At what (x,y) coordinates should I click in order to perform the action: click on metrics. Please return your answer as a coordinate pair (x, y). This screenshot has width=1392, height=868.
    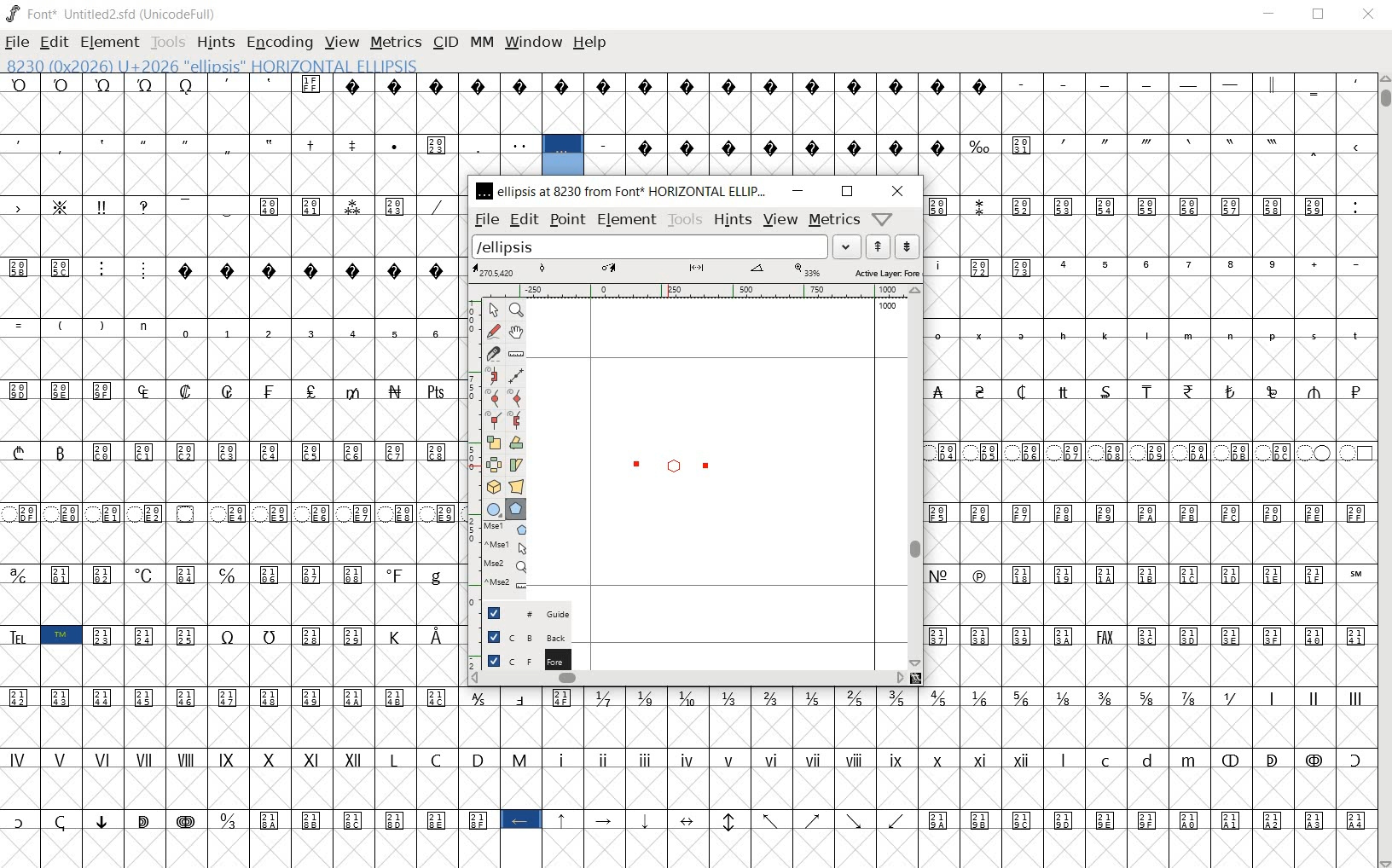
    Looking at the image, I should click on (832, 222).